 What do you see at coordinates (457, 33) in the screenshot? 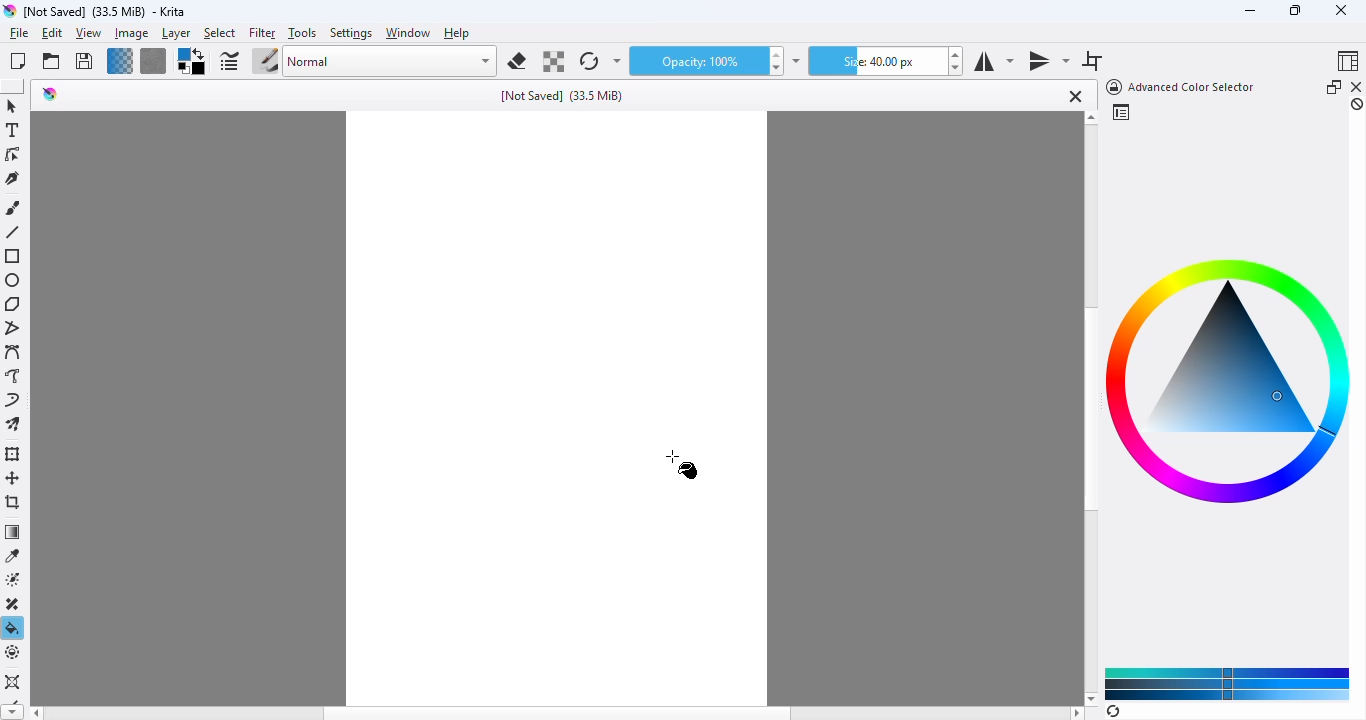
I see `help` at bounding box center [457, 33].